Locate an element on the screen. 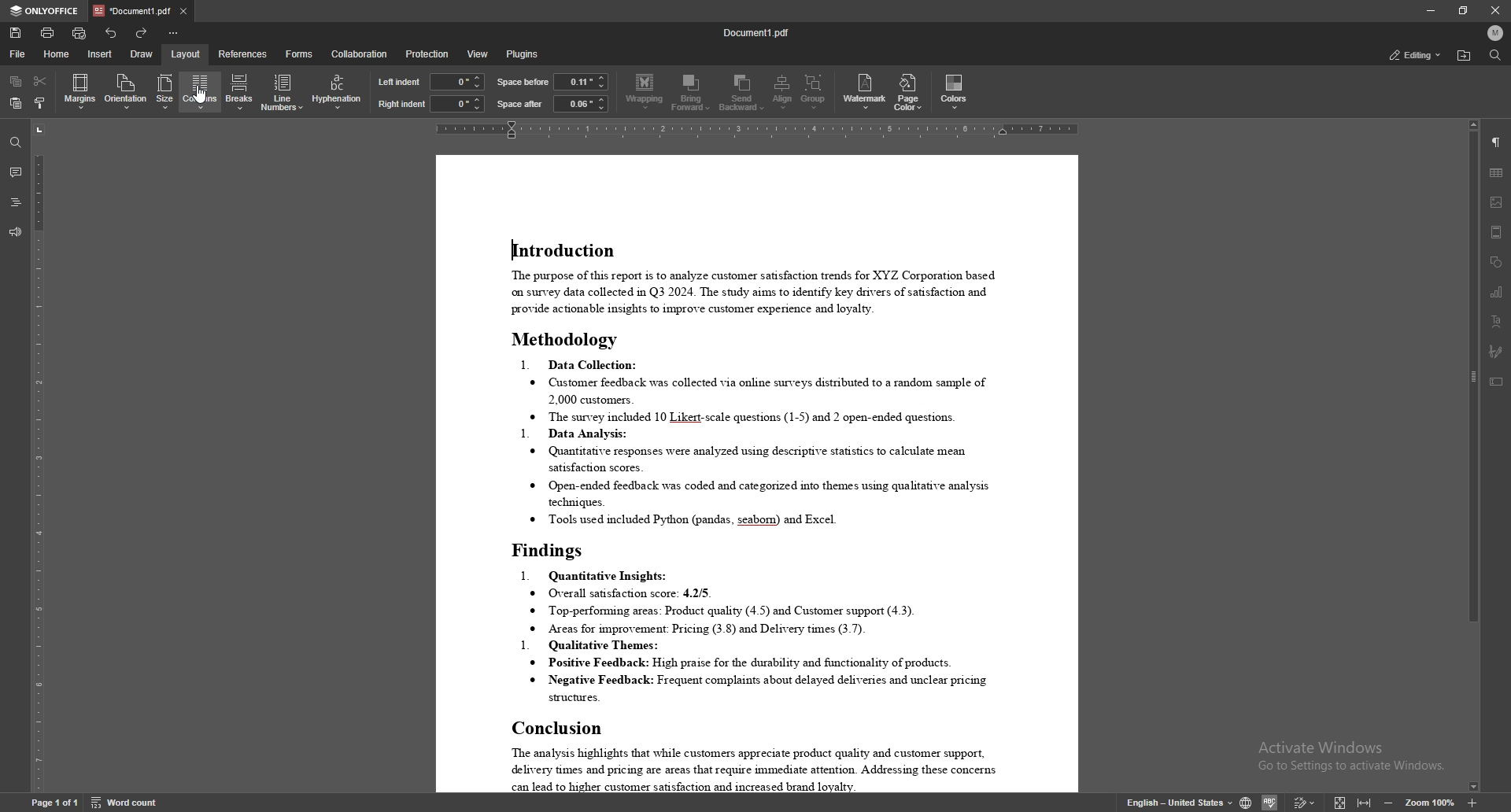 The image size is (1511, 812). bring forward is located at coordinates (692, 92).